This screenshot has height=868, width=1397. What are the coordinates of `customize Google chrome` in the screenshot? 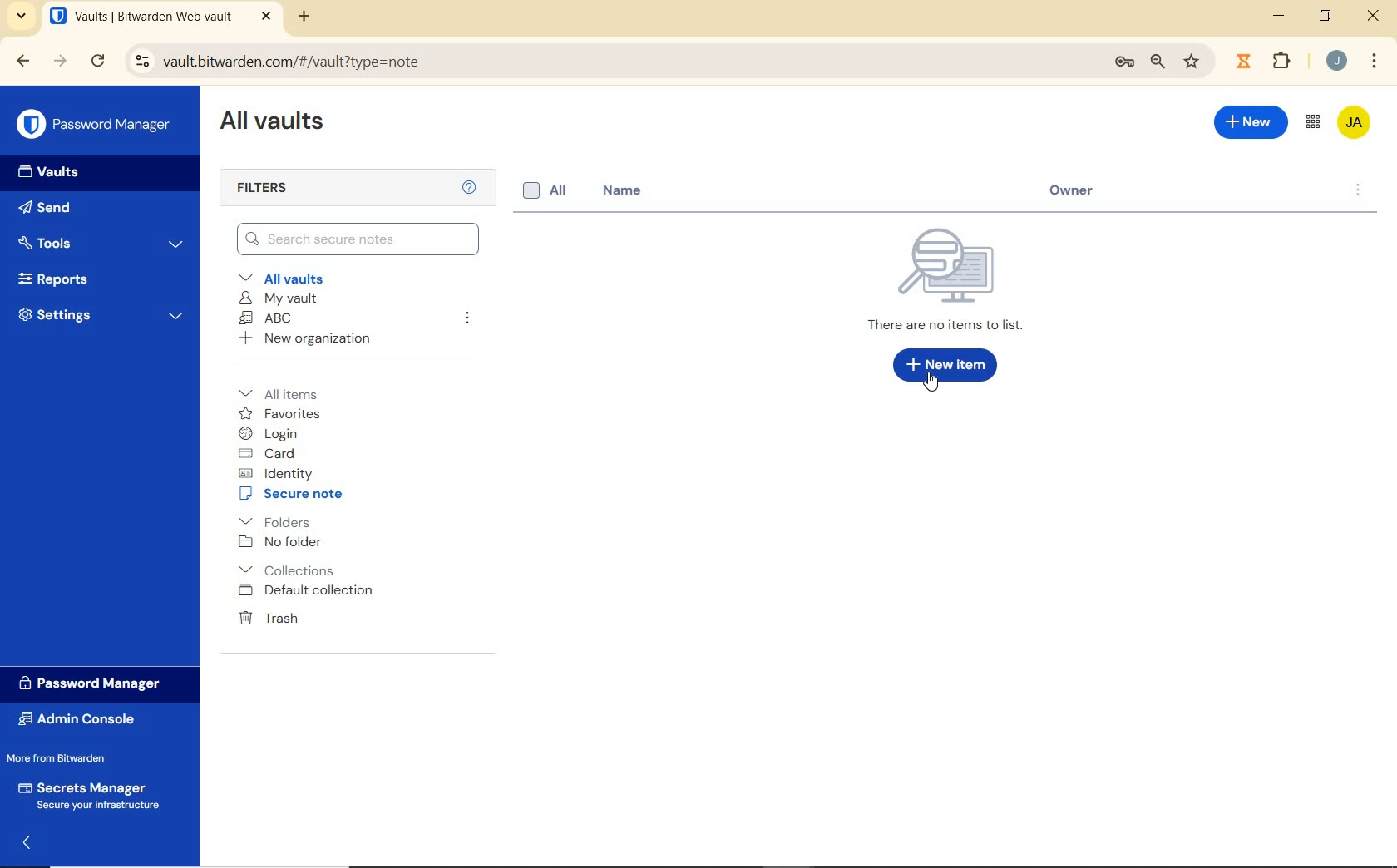 It's located at (1375, 60).